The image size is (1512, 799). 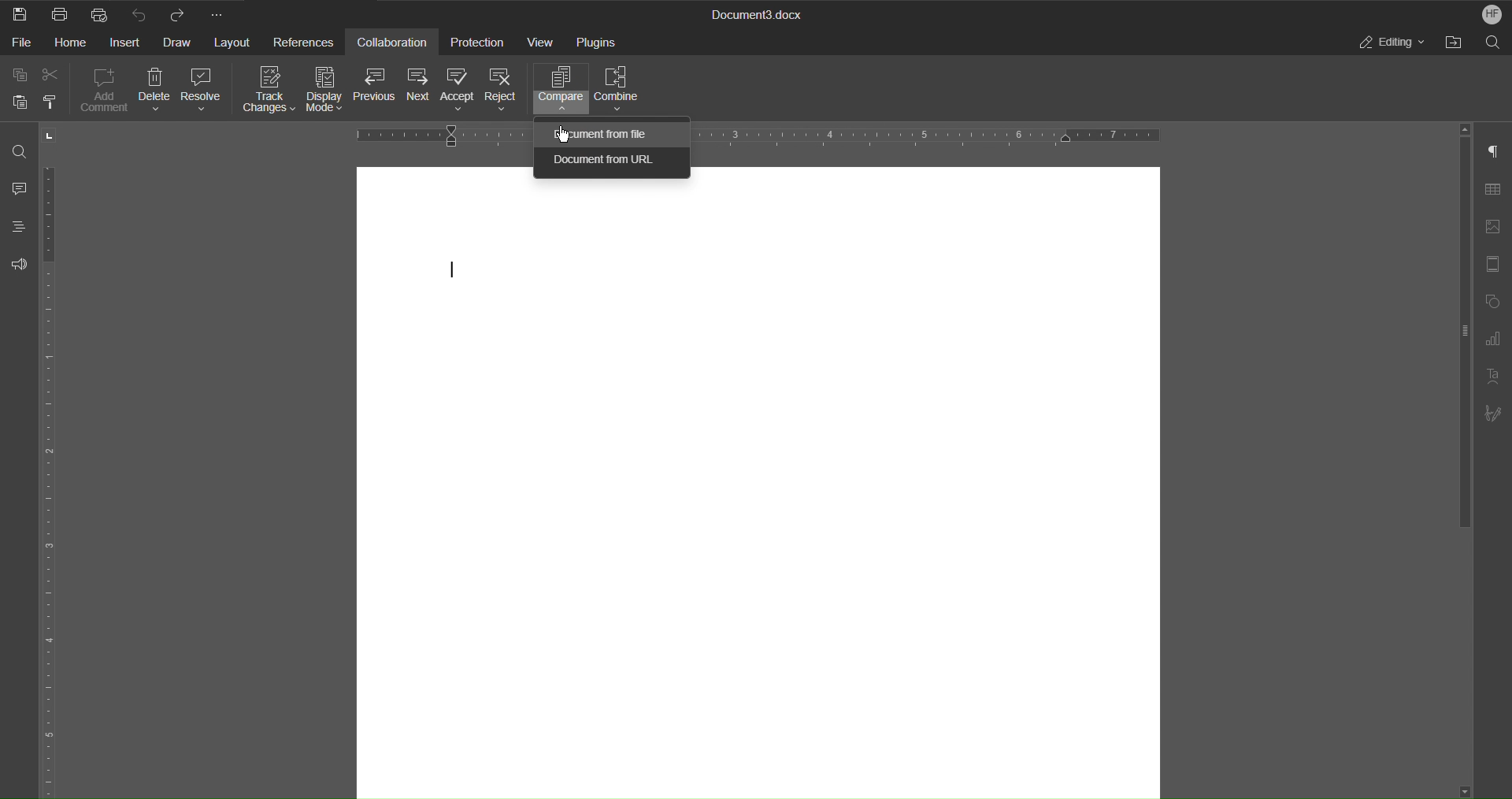 What do you see at coordinates (563, 133) in the screenshot?
I see `cursor` at bounding box center [563, 133].